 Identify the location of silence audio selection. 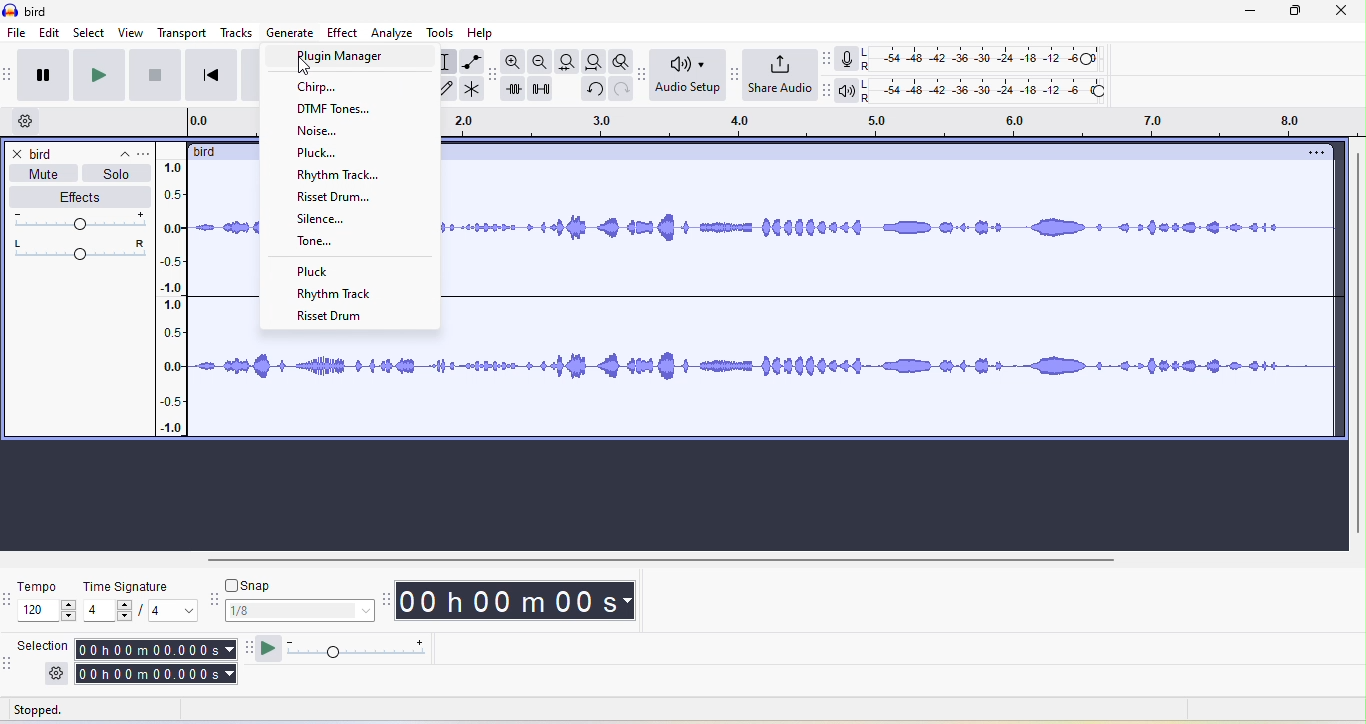
(543, 90).